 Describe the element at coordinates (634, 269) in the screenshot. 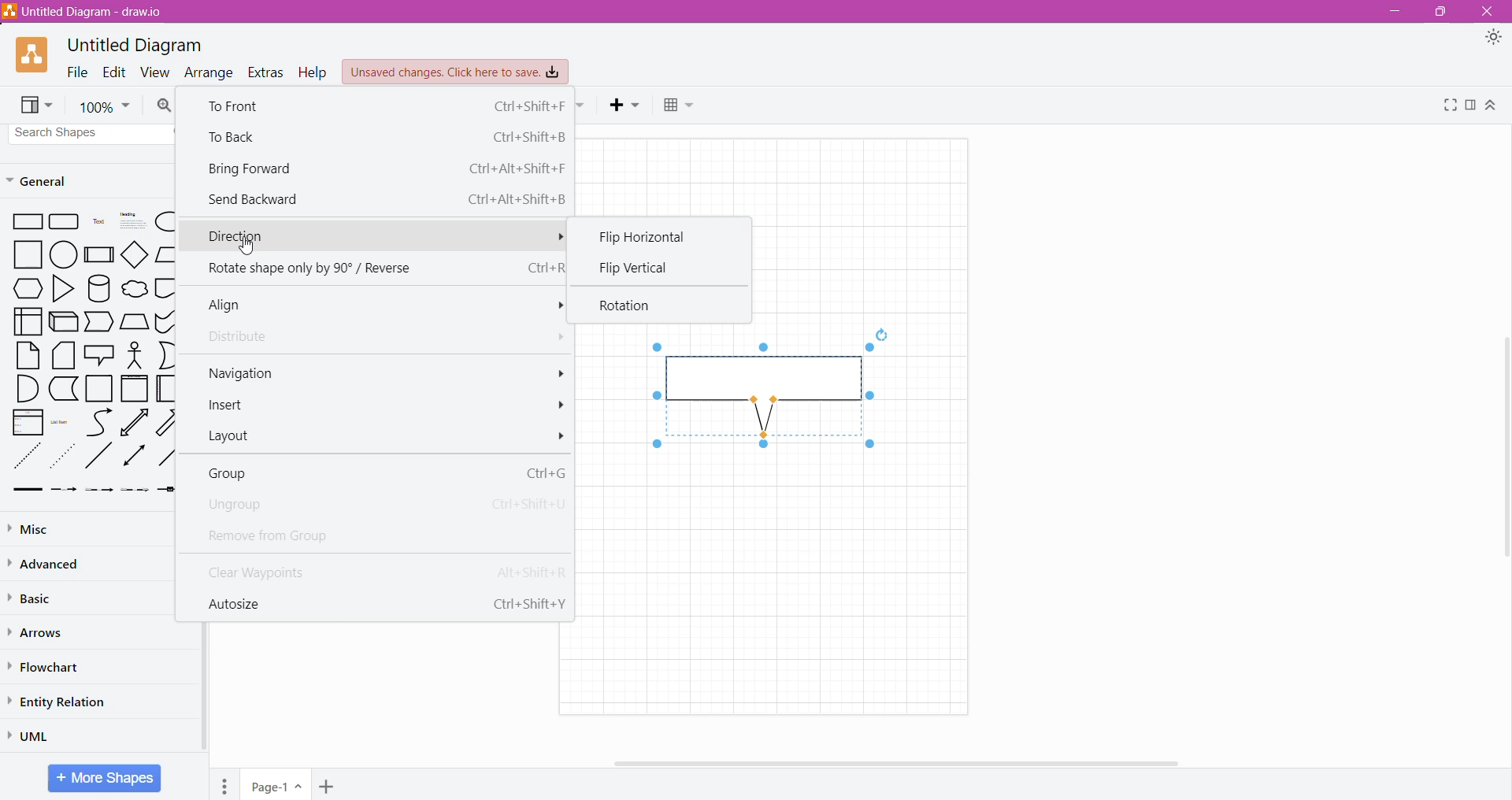

I see `Flip Vertical` at that location.